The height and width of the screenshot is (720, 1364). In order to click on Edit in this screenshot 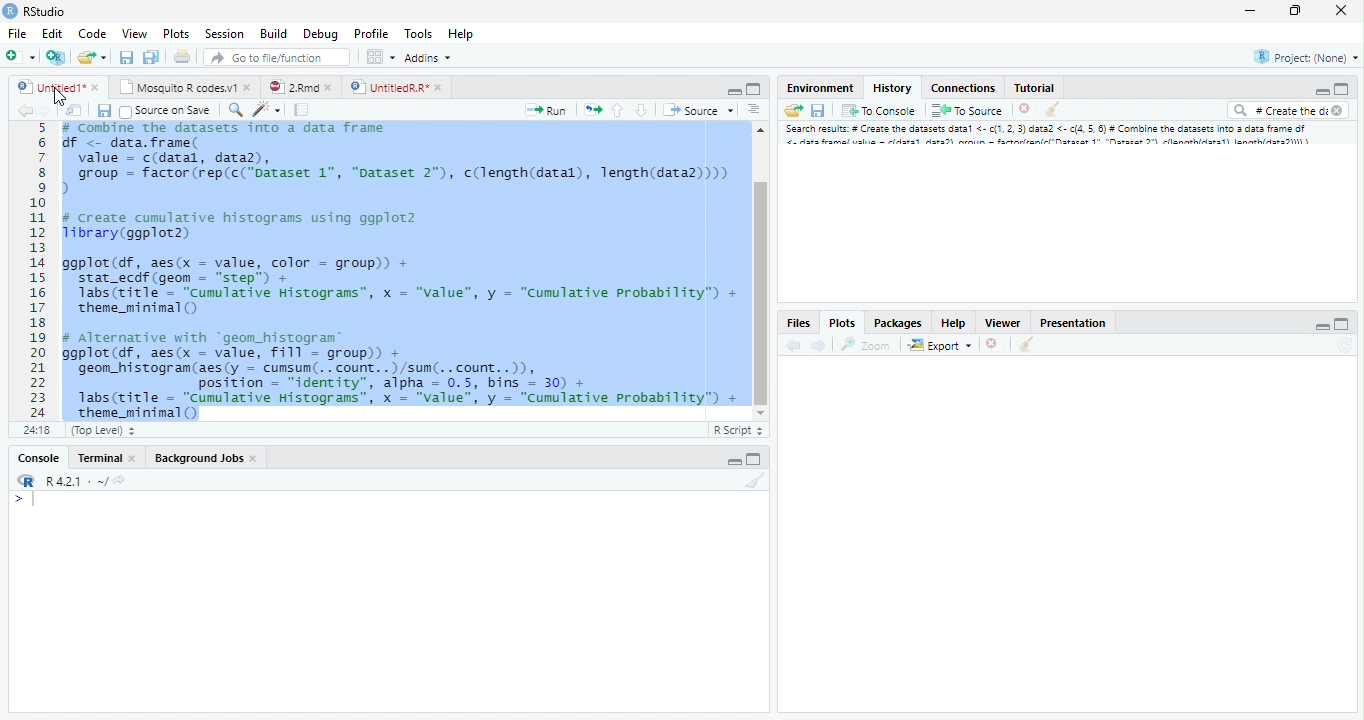, I will do `click(53, 35)`.